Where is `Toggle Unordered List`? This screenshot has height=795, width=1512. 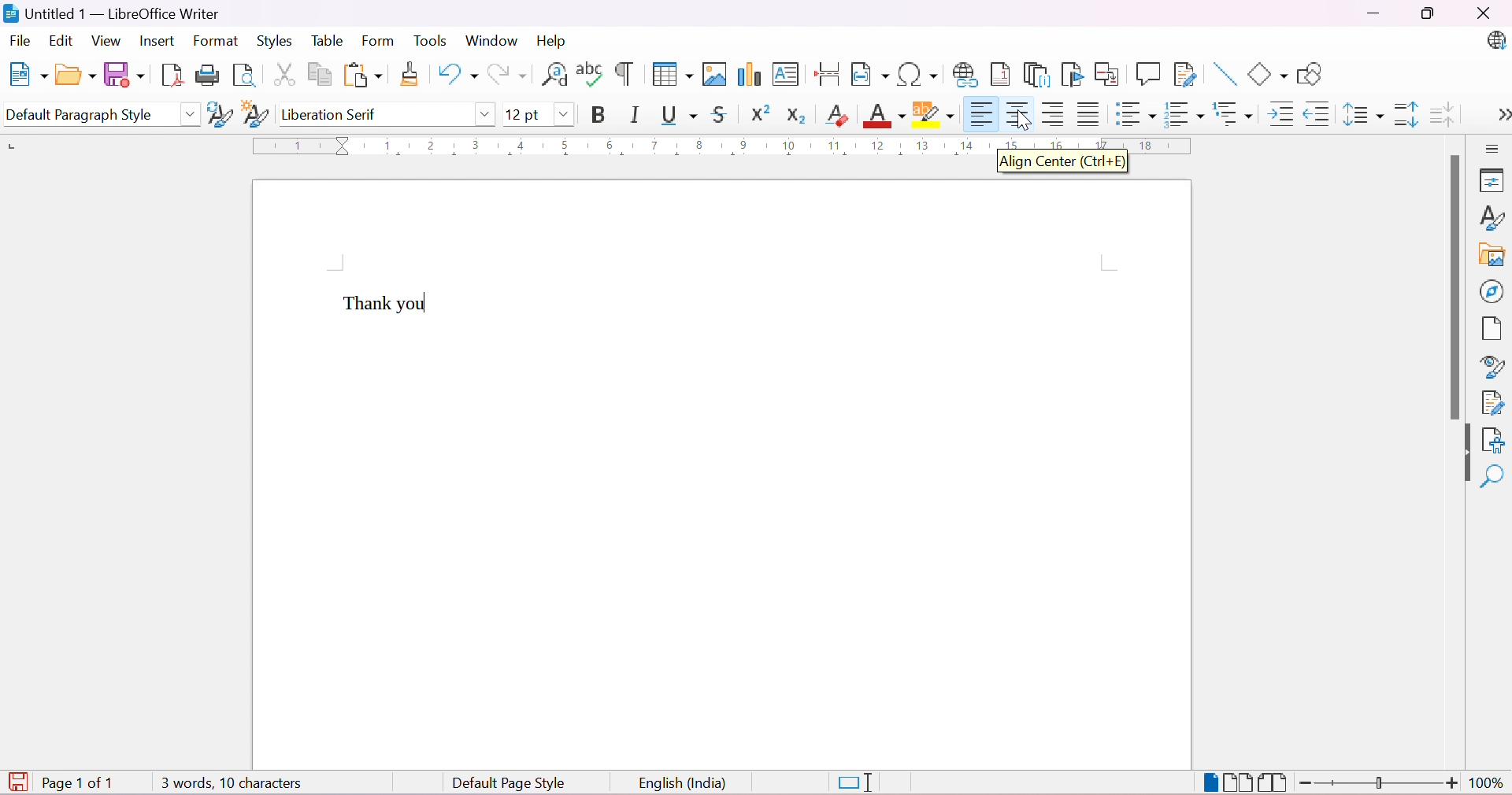
Toggle Unordered List is located at coordinates (1132, 113).